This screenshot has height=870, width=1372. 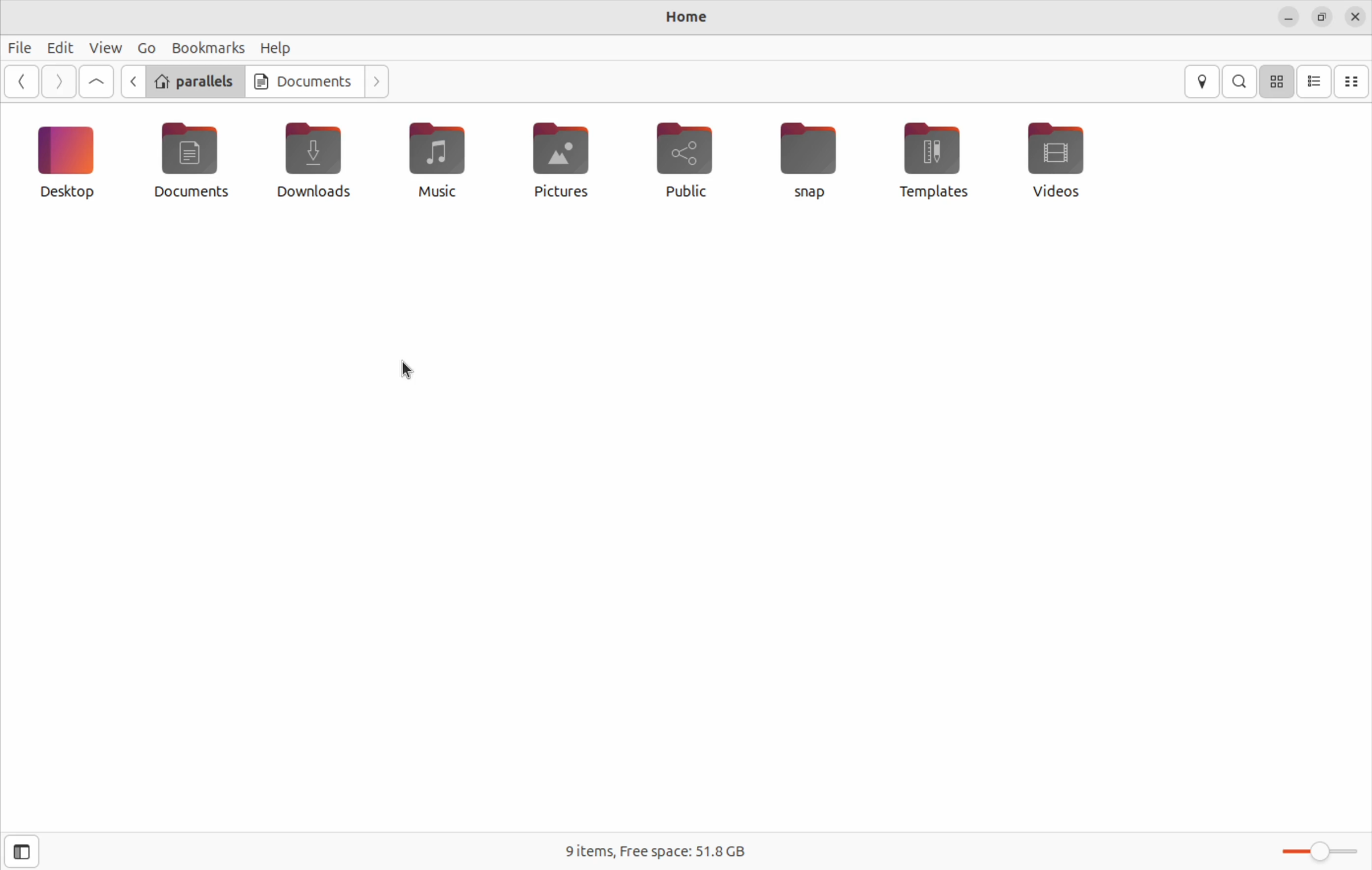 What do you see at coordinates (60, 47) in the screenshot?
I see `Edit` at bounding box center [60, 47].